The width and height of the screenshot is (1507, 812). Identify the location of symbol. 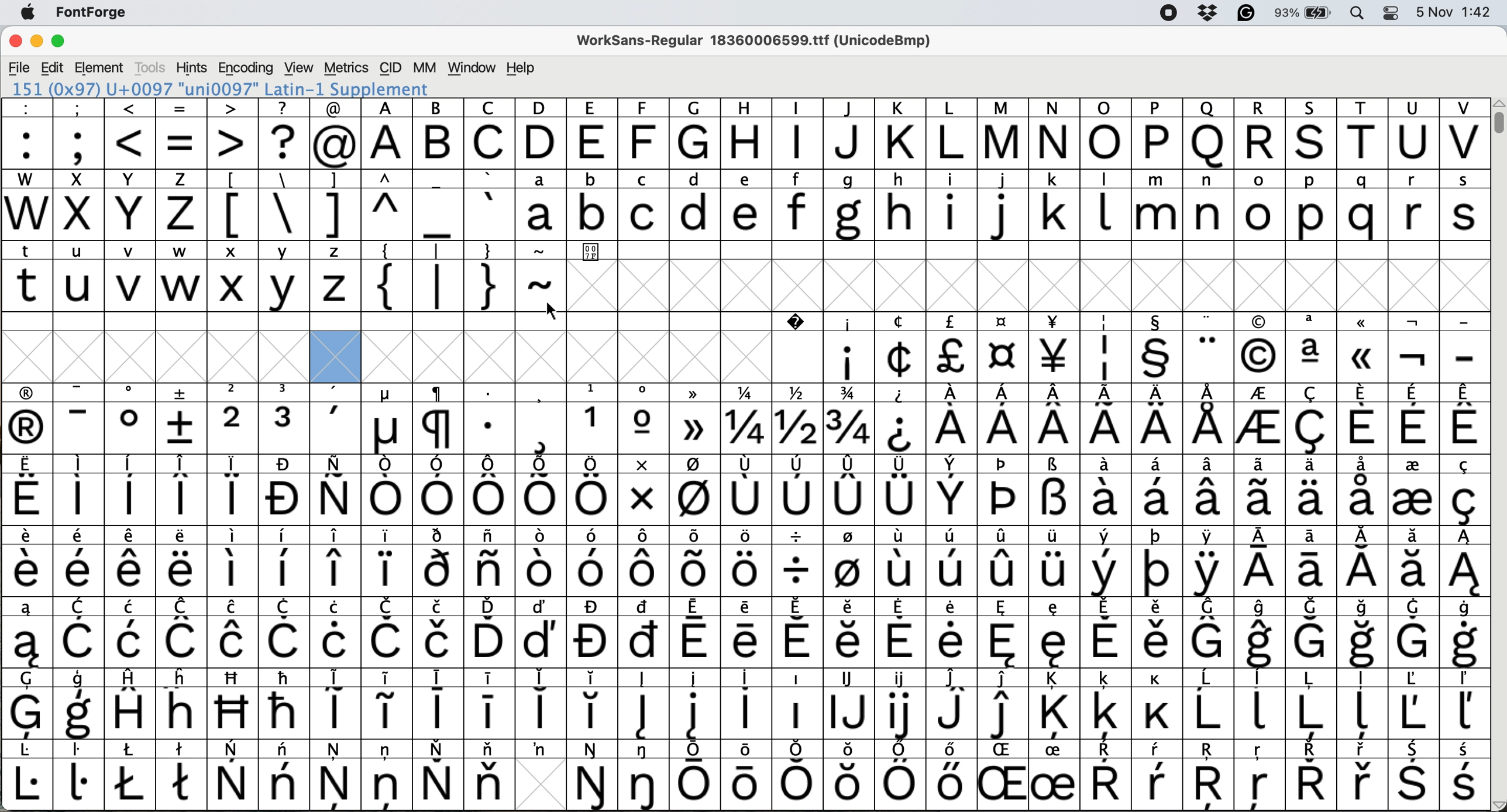
(387, 632).